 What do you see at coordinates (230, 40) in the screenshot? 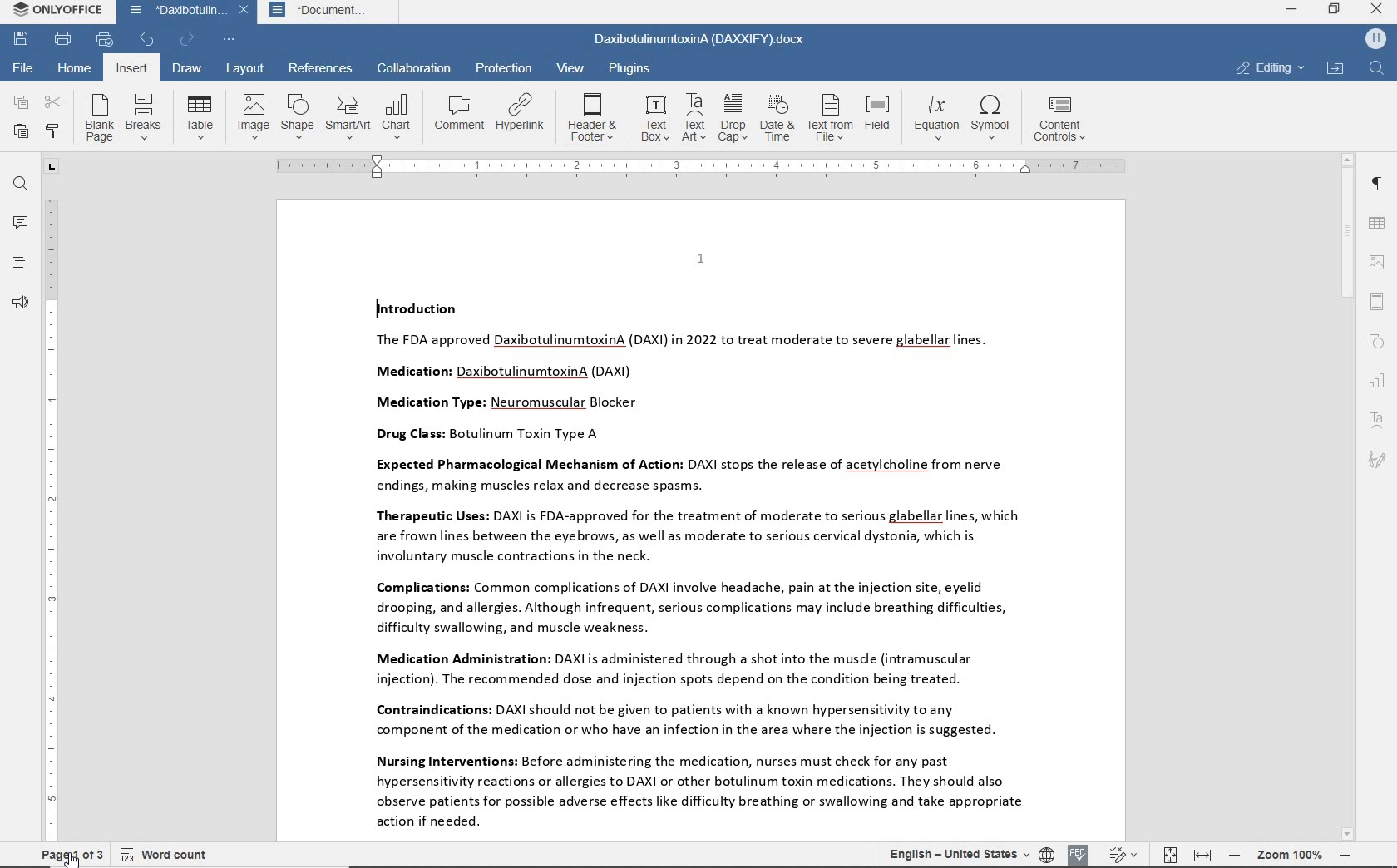
I see `customize quick access toolbar` at bounding box center [230, 40].